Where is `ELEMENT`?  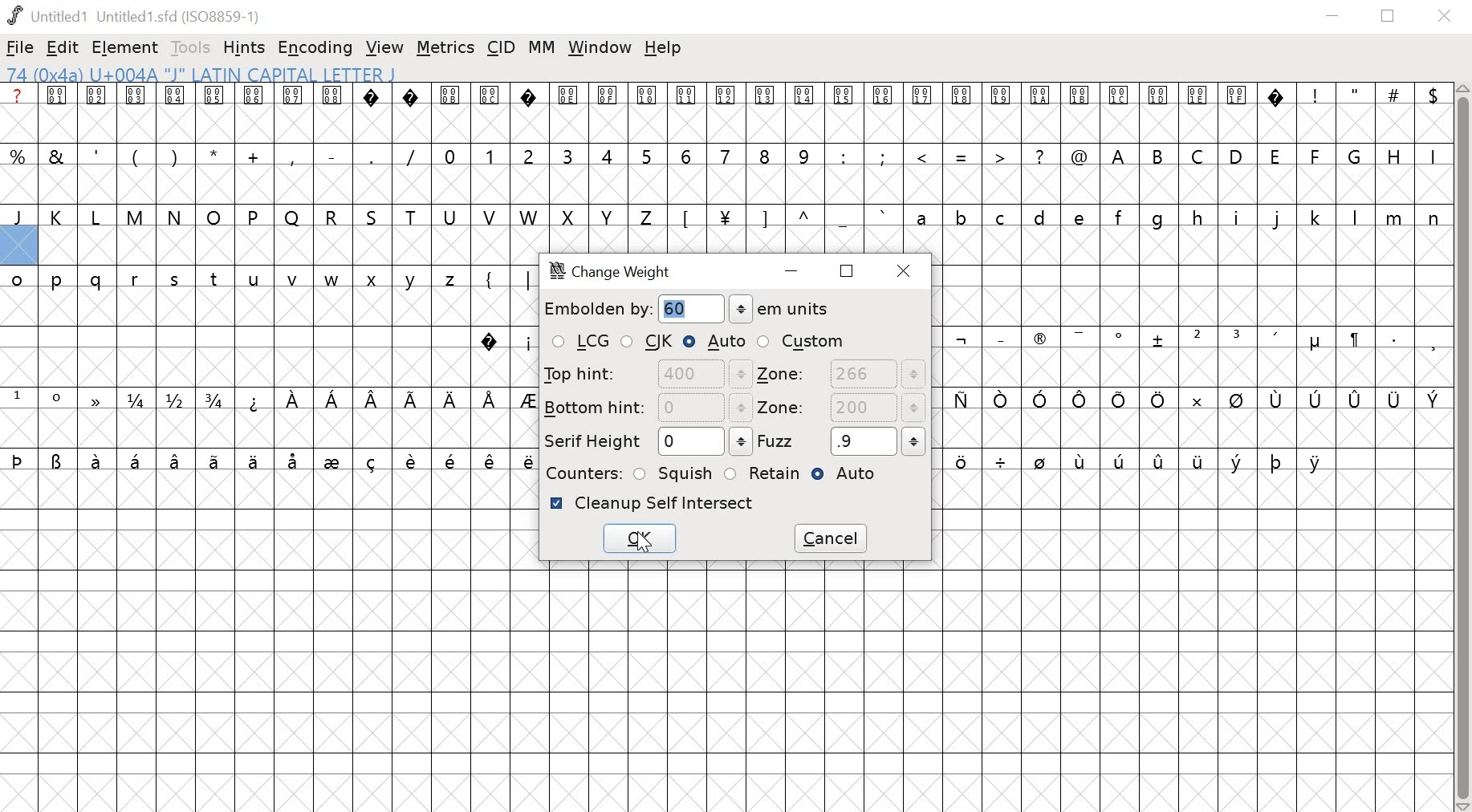 ELEMENT is located at coordinates (127, 48).